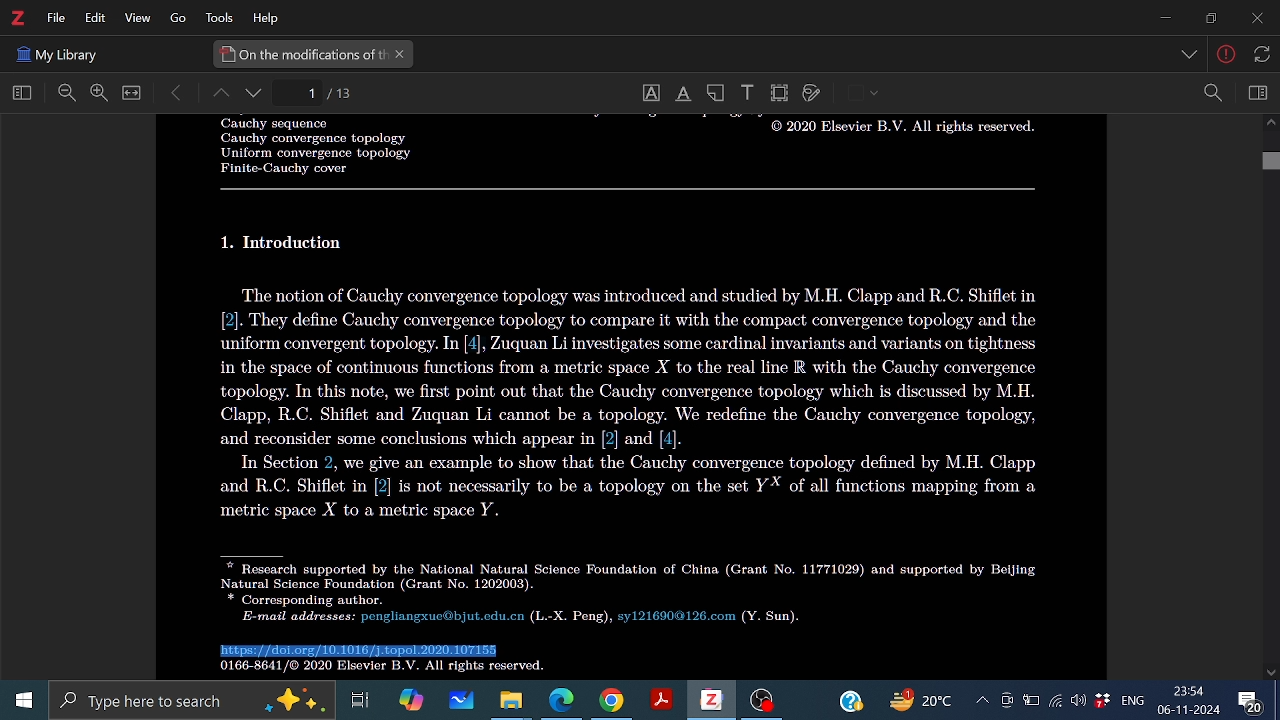 This screenshot has width=1280, height=720. What do you see at coordinates (981, 700) in the screenshot?
I see `Show hidden icons` at bounding box center [981, 700].